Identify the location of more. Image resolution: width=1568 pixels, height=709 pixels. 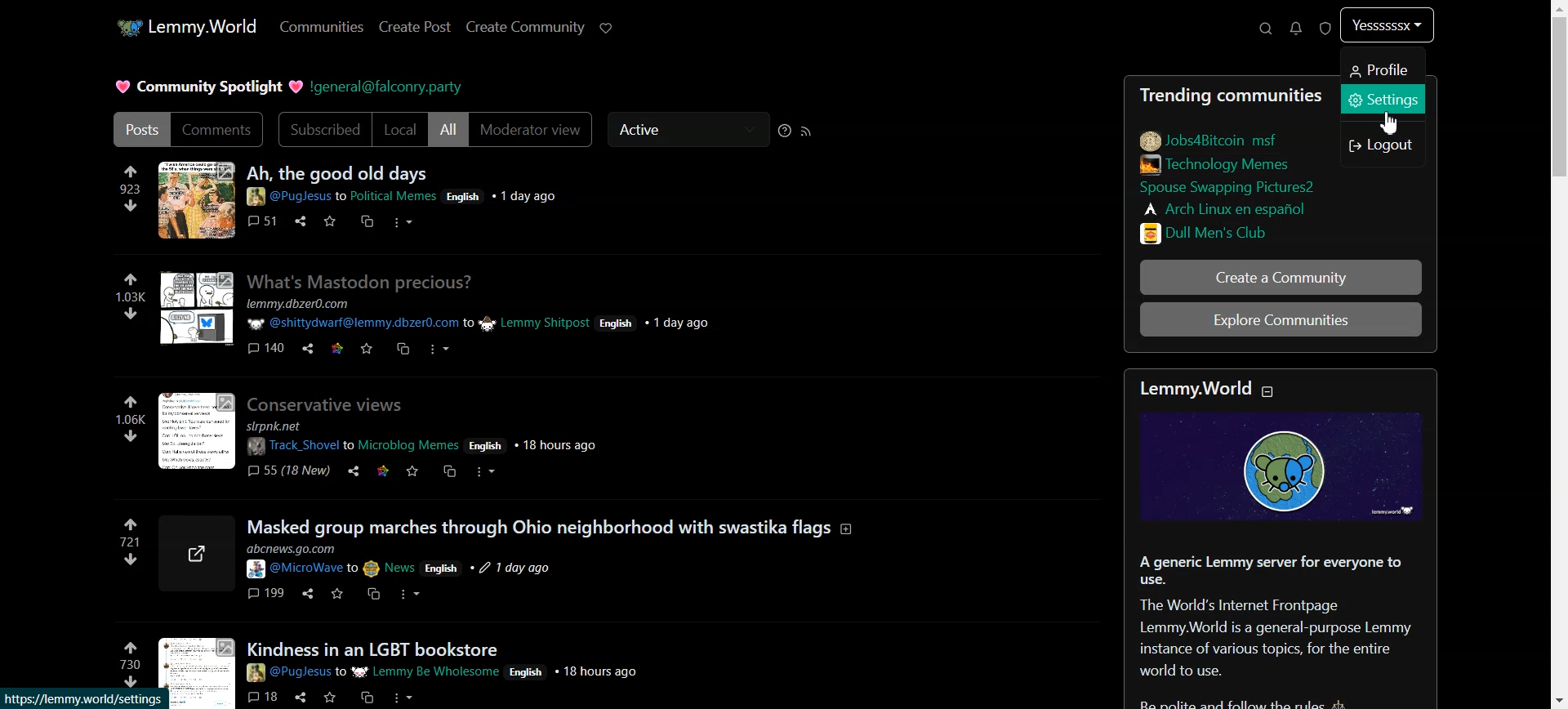
(412, 593).